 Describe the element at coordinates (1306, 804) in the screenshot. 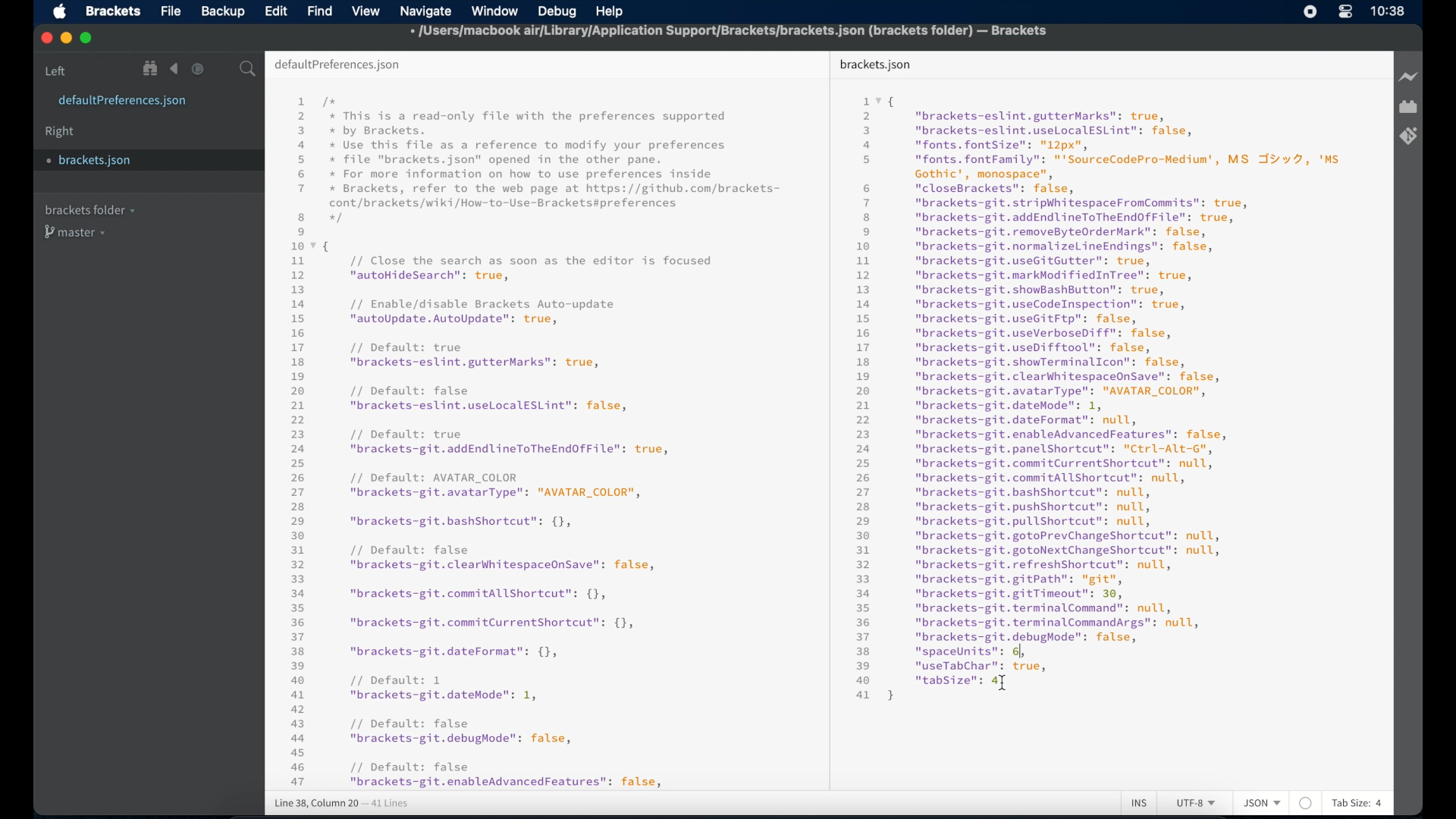

I see `no linter available for json` at that location.